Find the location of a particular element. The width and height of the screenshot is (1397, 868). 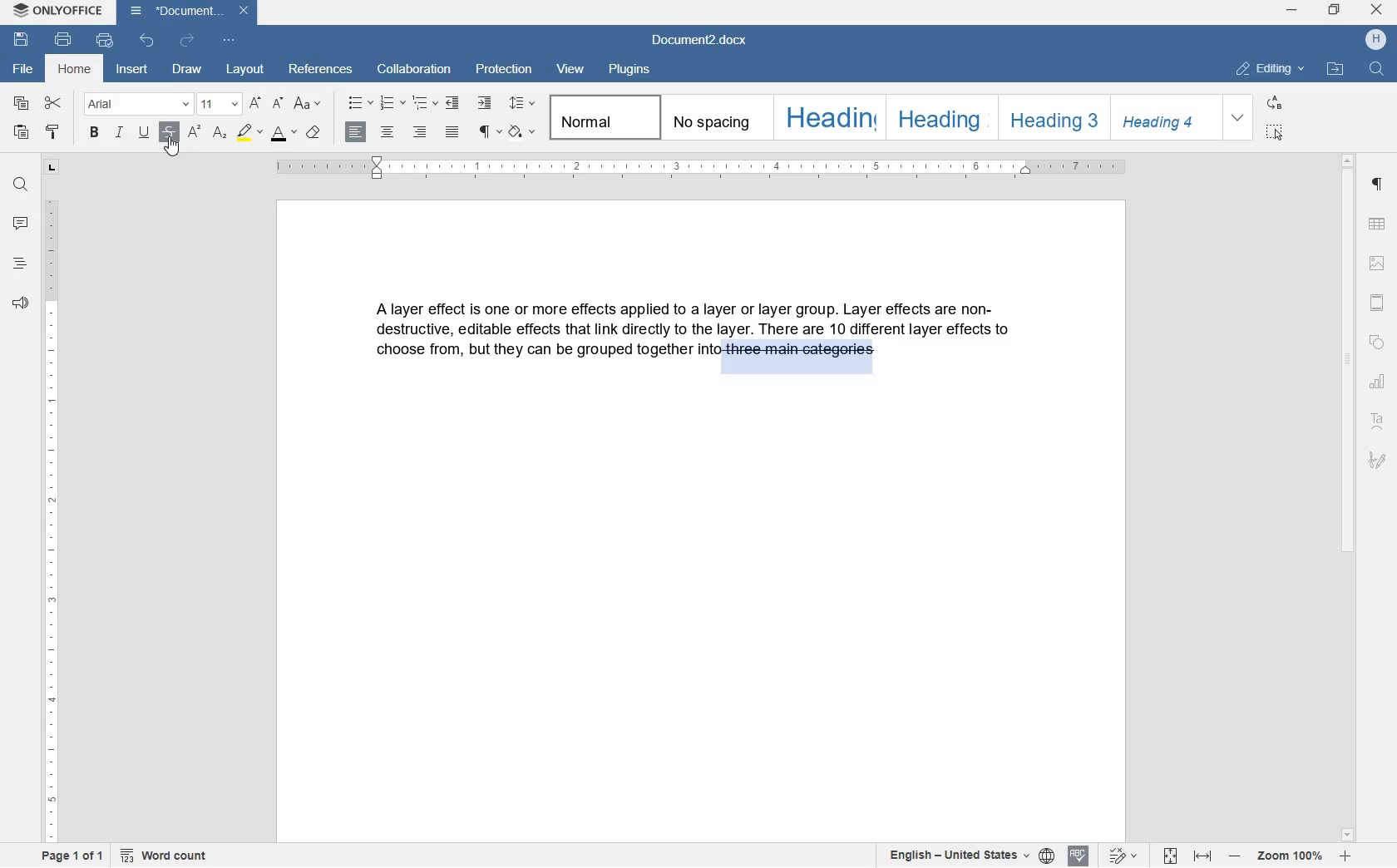

fit to page or width is located at coordinates (1187, 857).